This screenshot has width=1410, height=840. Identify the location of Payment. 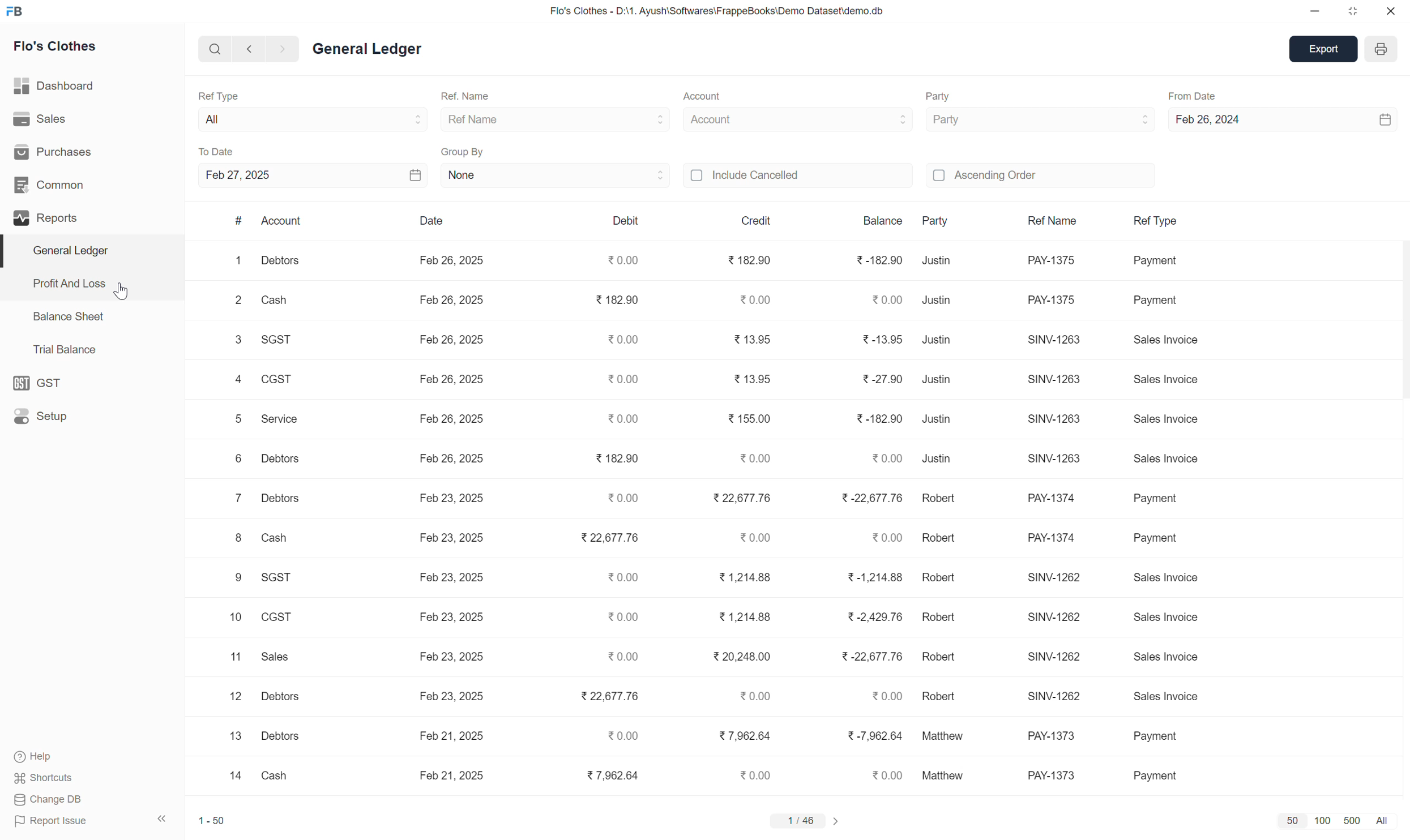
(1166, 265).